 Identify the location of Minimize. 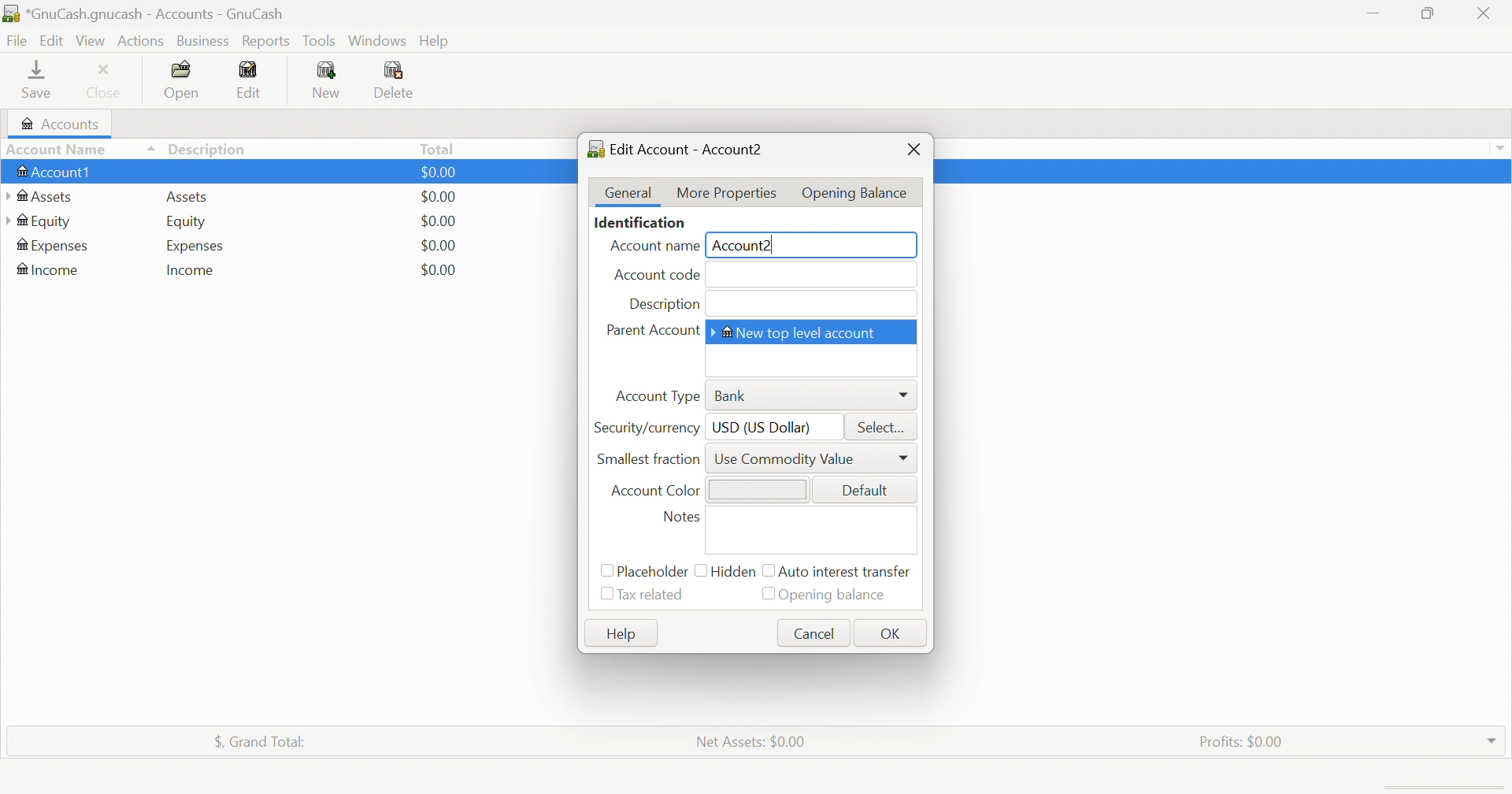
(1372, 13).